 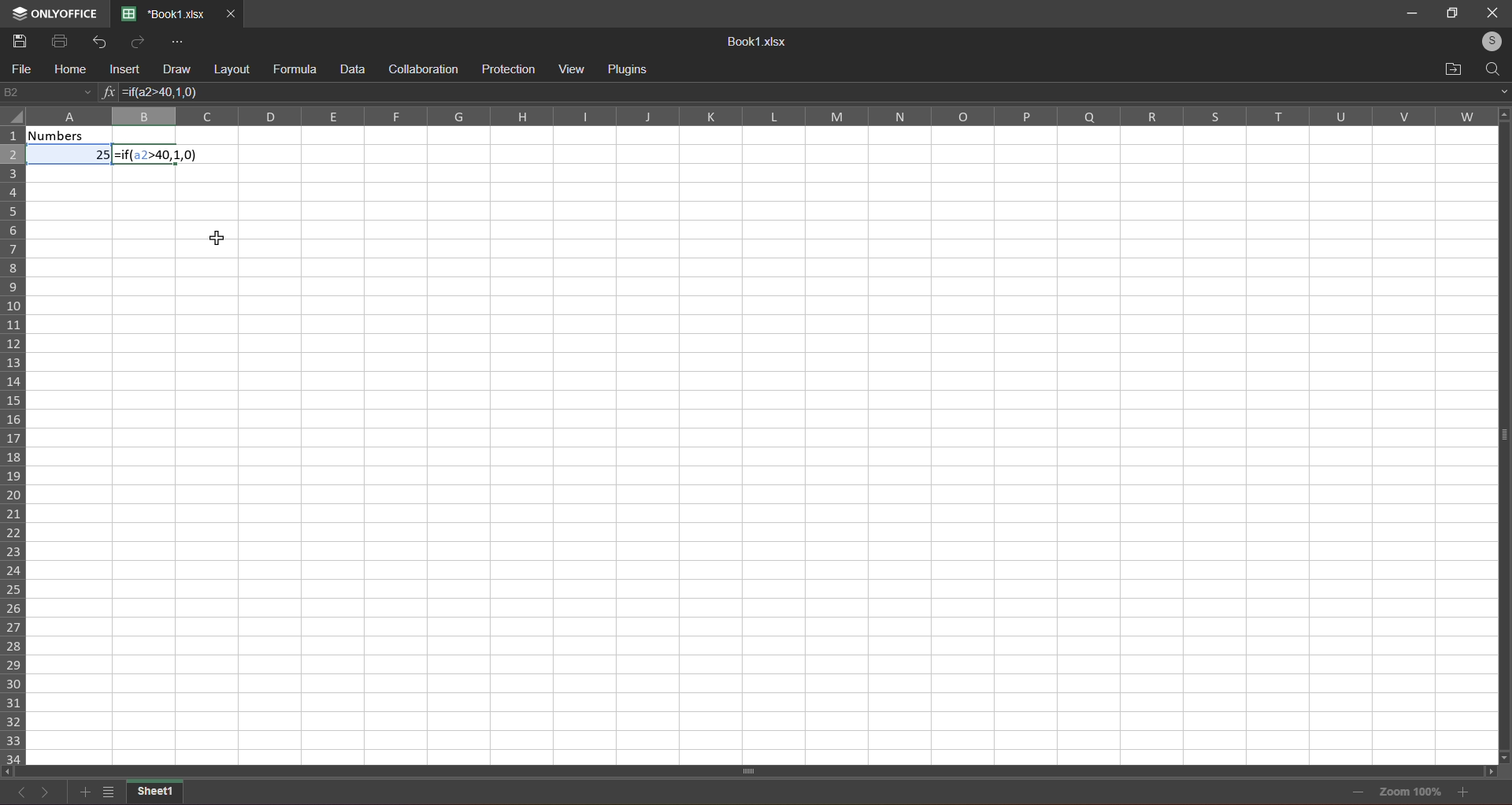 I want to click on more, so click(x=176, y=42).